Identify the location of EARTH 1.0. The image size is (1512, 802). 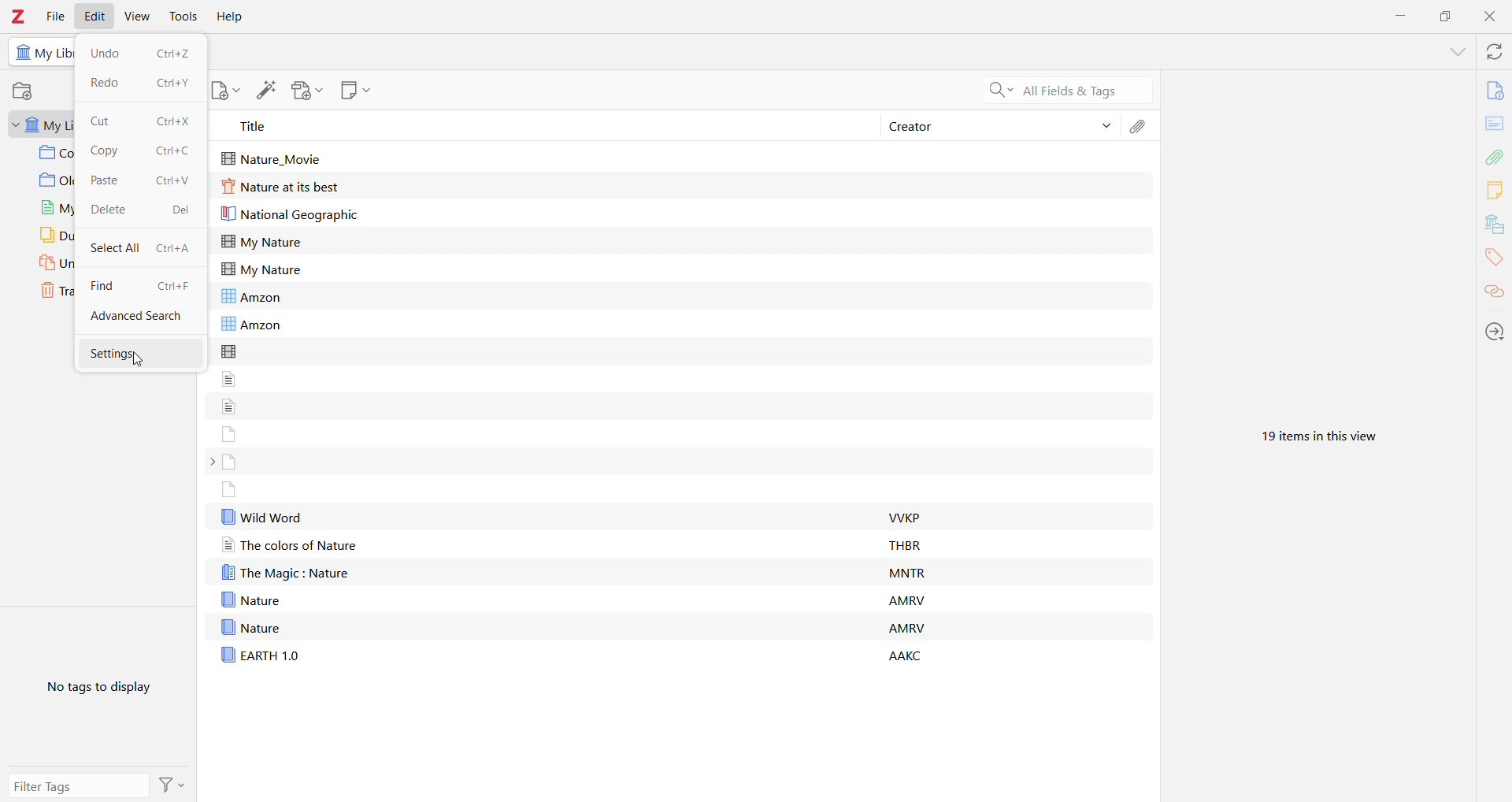
(260, 654).